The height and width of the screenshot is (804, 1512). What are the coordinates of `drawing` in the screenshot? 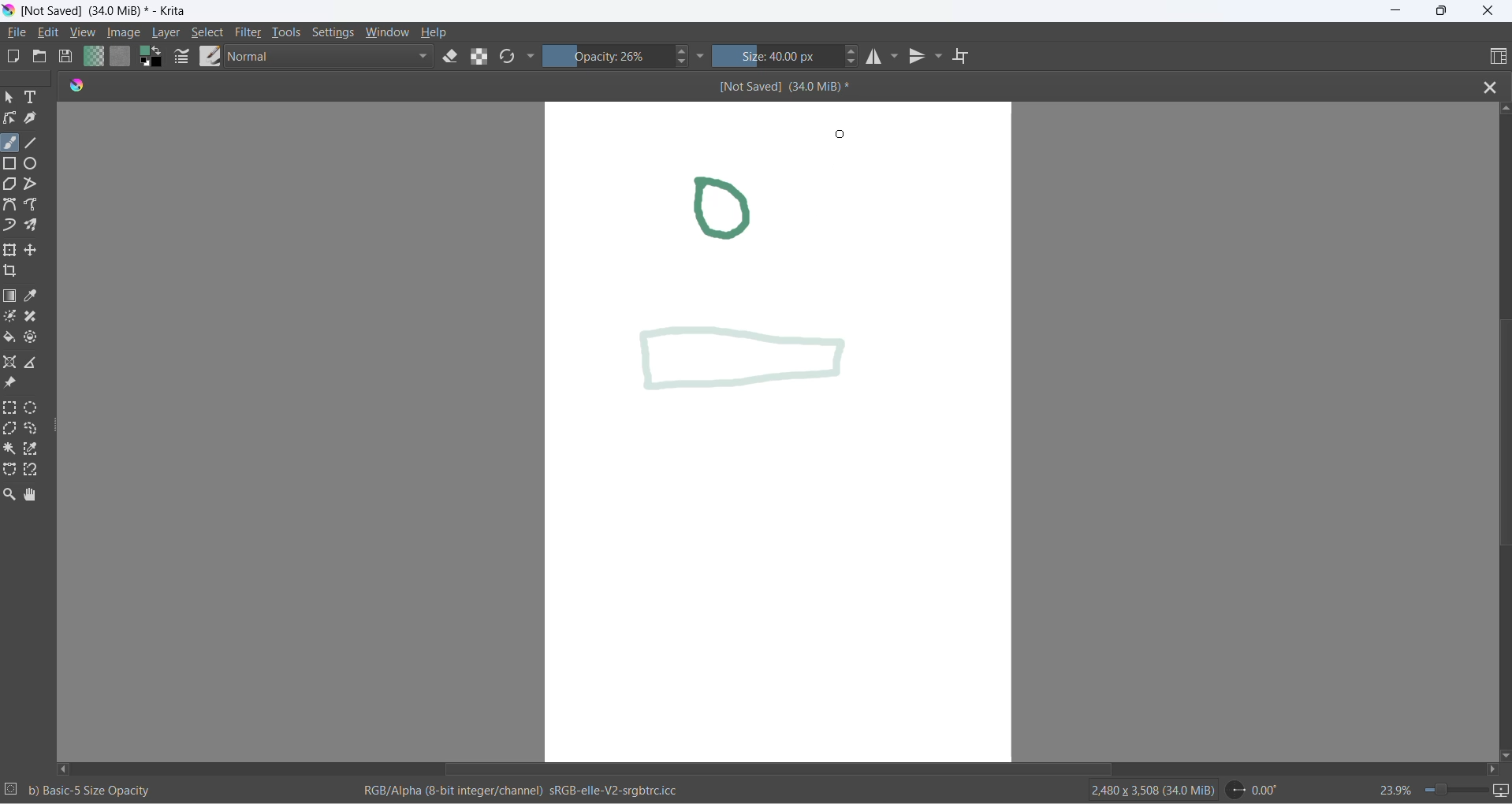 It's located at (738, 210).